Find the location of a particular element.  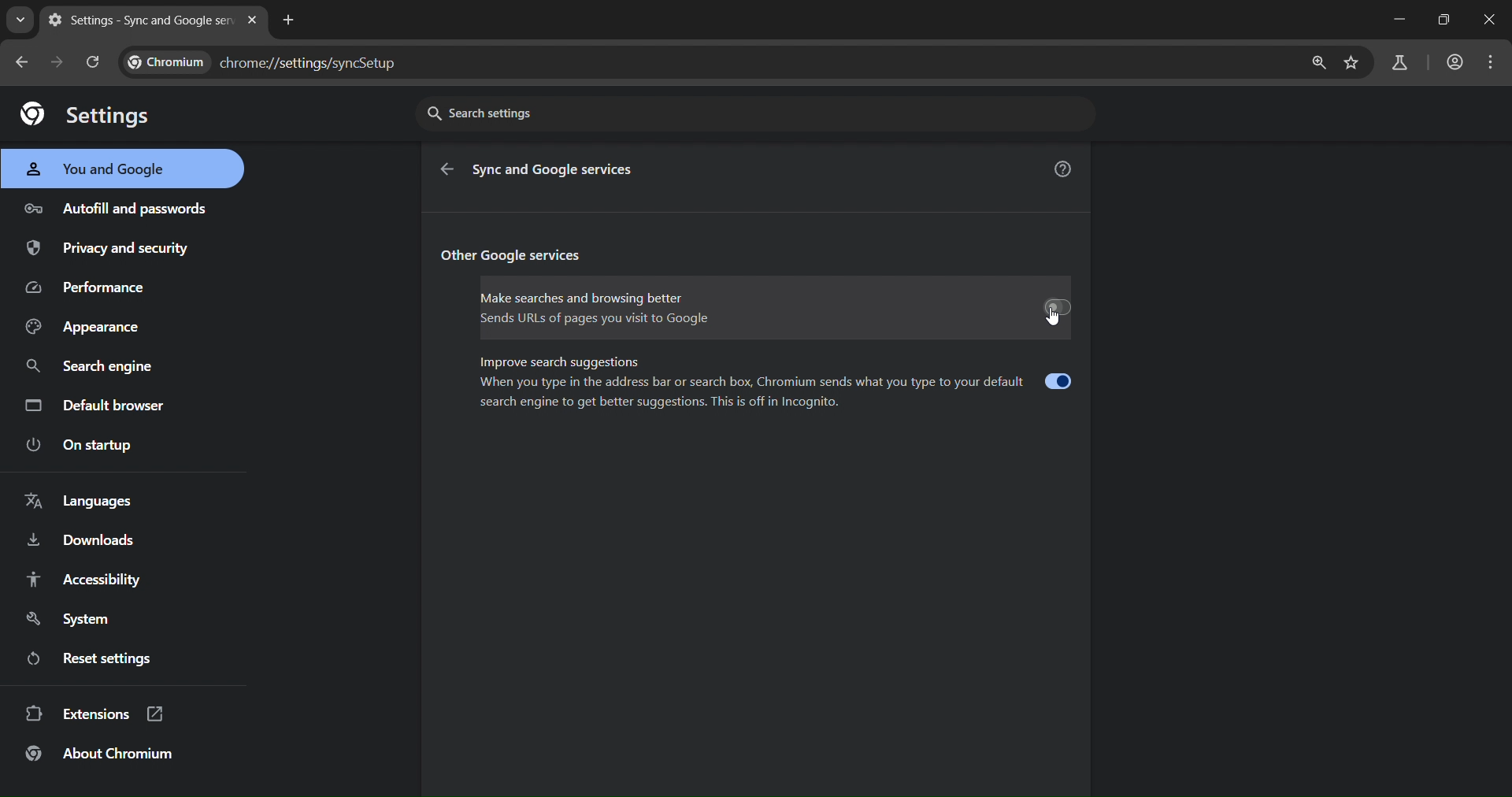

search tabs is located at coordinates (20, 20).